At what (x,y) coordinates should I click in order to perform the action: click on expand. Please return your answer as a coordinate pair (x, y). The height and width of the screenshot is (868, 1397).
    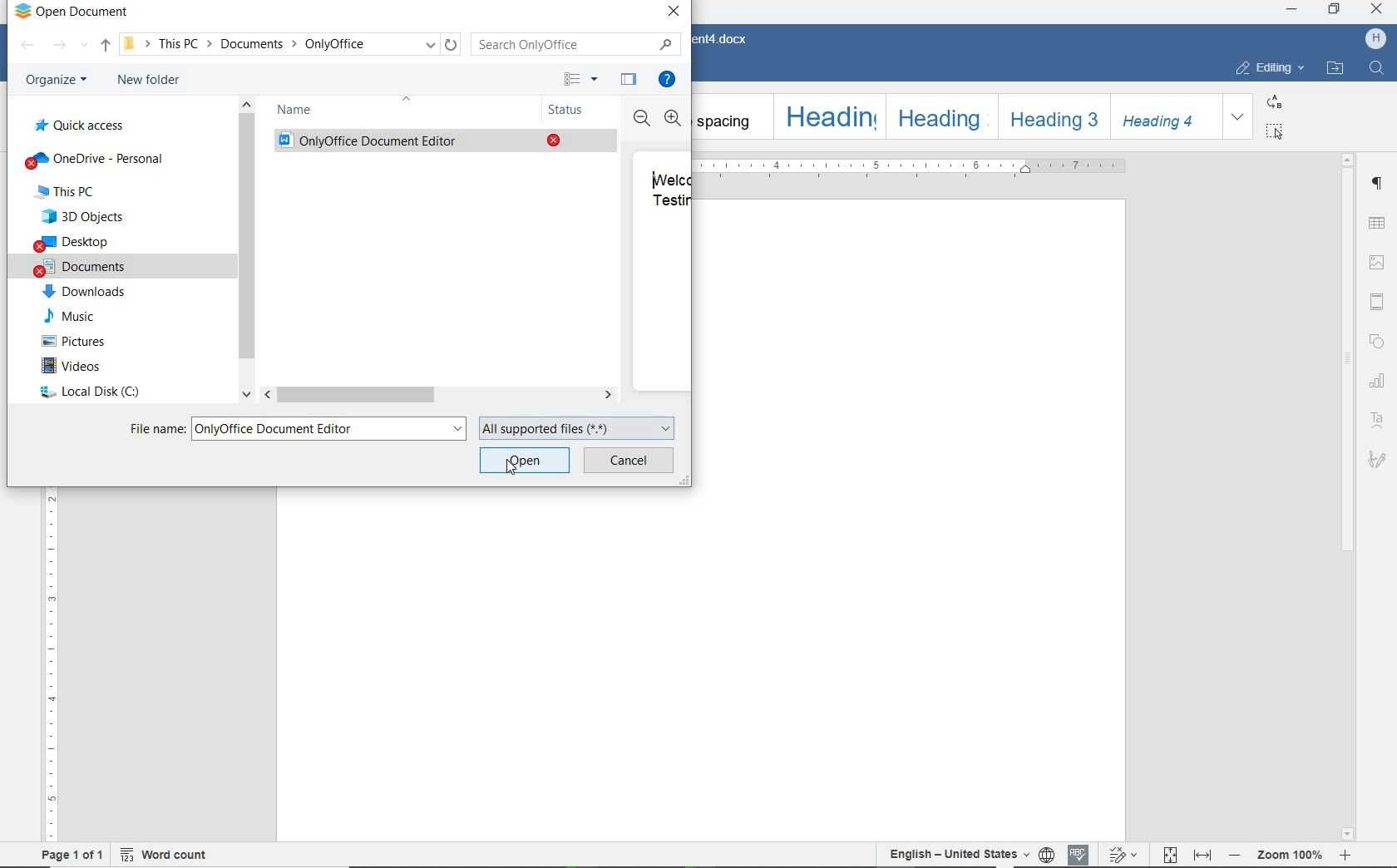
    Looking at the image, I should click on (1238, 118).